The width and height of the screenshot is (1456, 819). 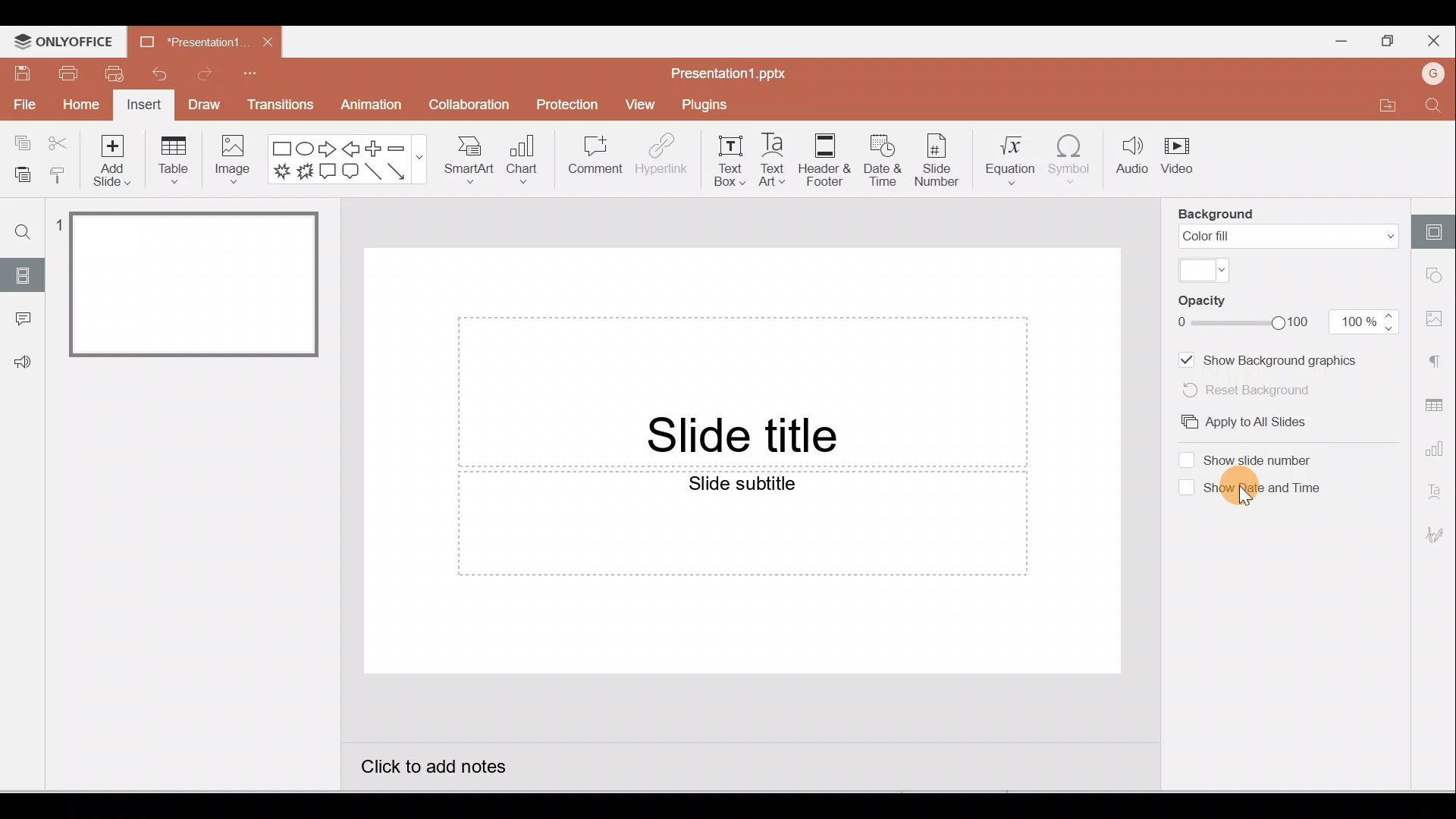 I want to click on Rounded Rectangular callout, so click(x=350, y=173).